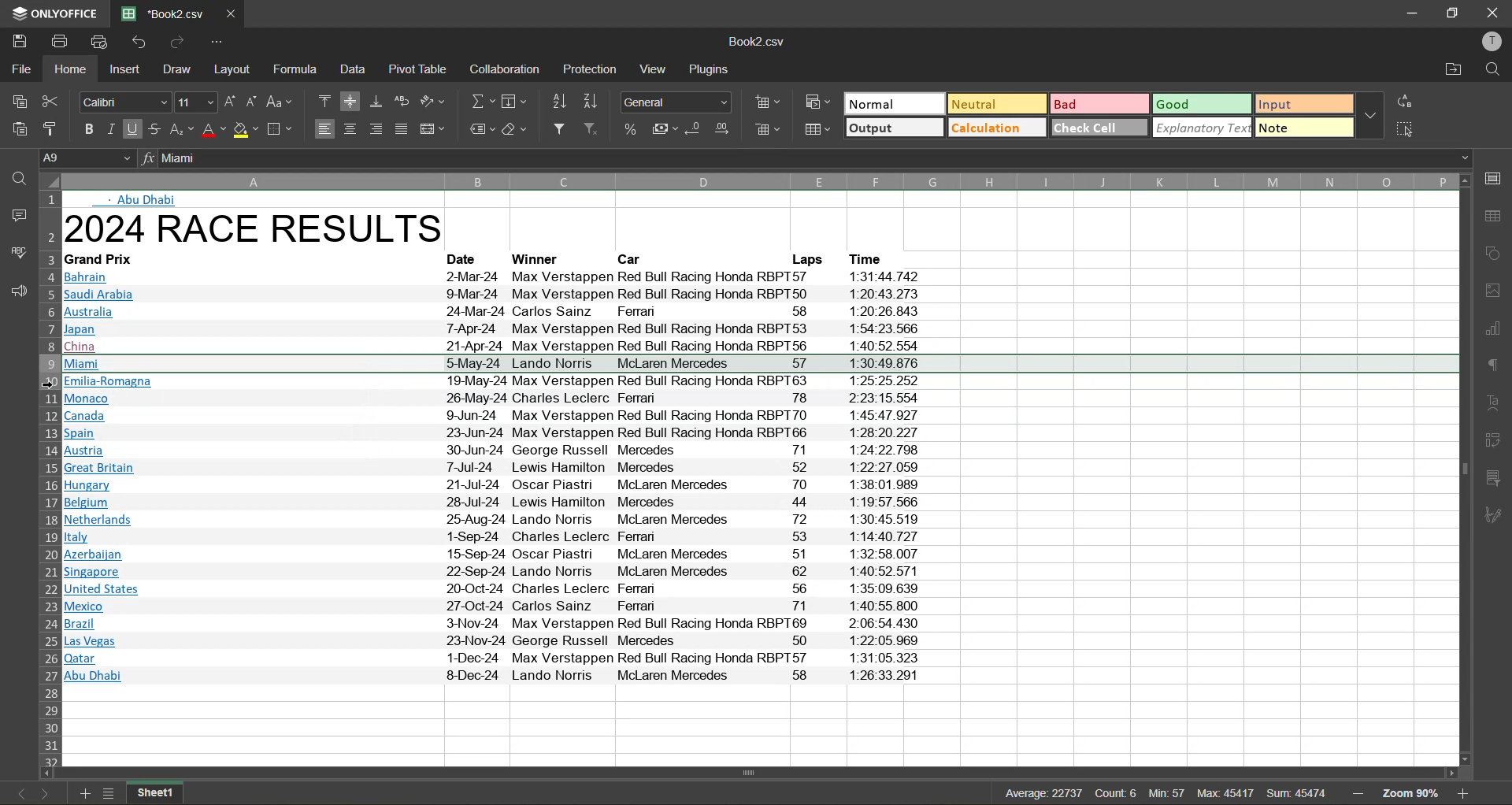  I want to click on max: 45417, so click(1228, 793).